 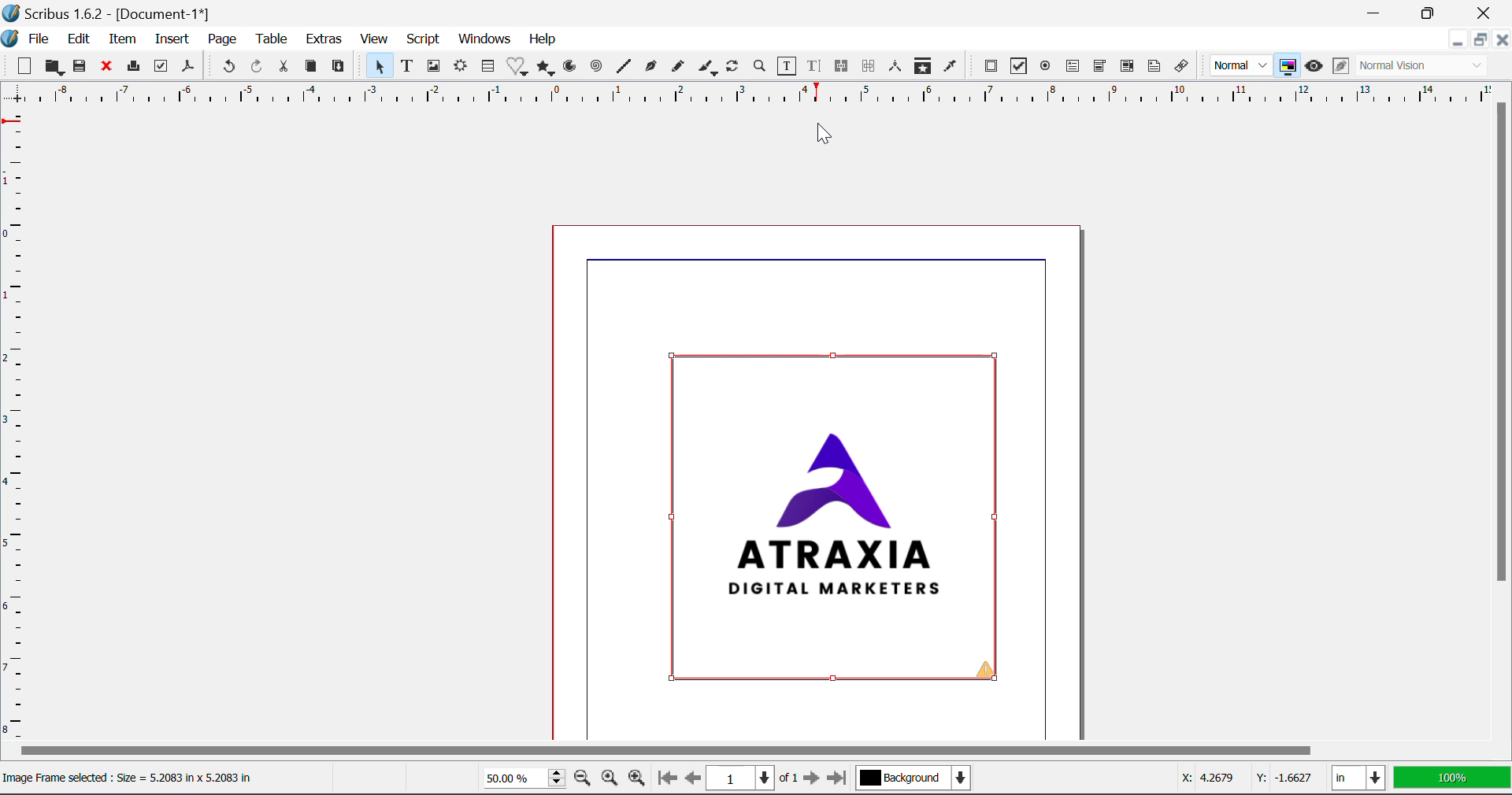 What do you see at coordinates (272, 42) in the screenshot?
I see `Table` at bounding box center [272, 42].